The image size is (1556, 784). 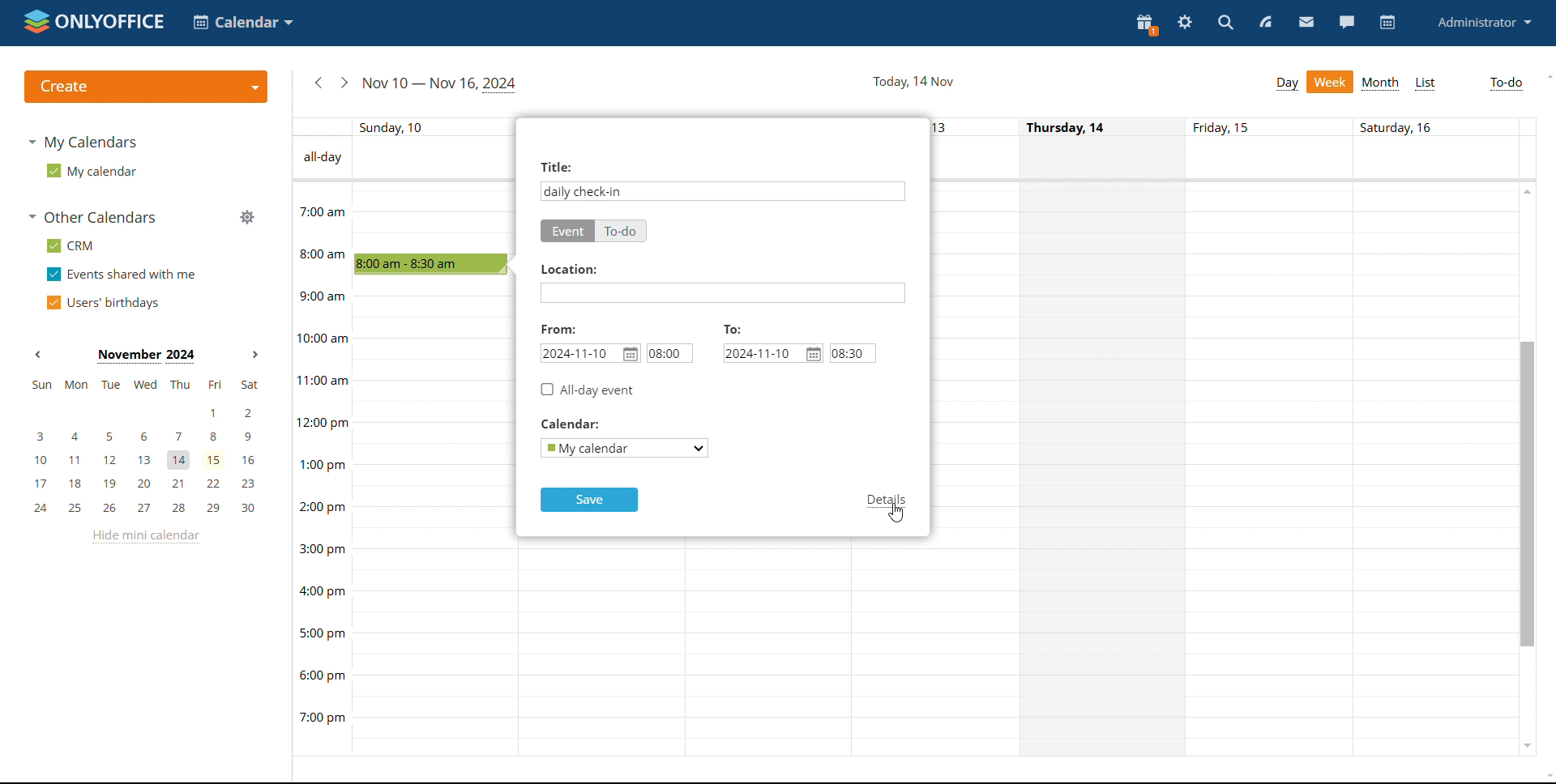 What do you see at coordinates (67, 245) in the screenshot?
I see `crm` at bounding box center [67, 245].